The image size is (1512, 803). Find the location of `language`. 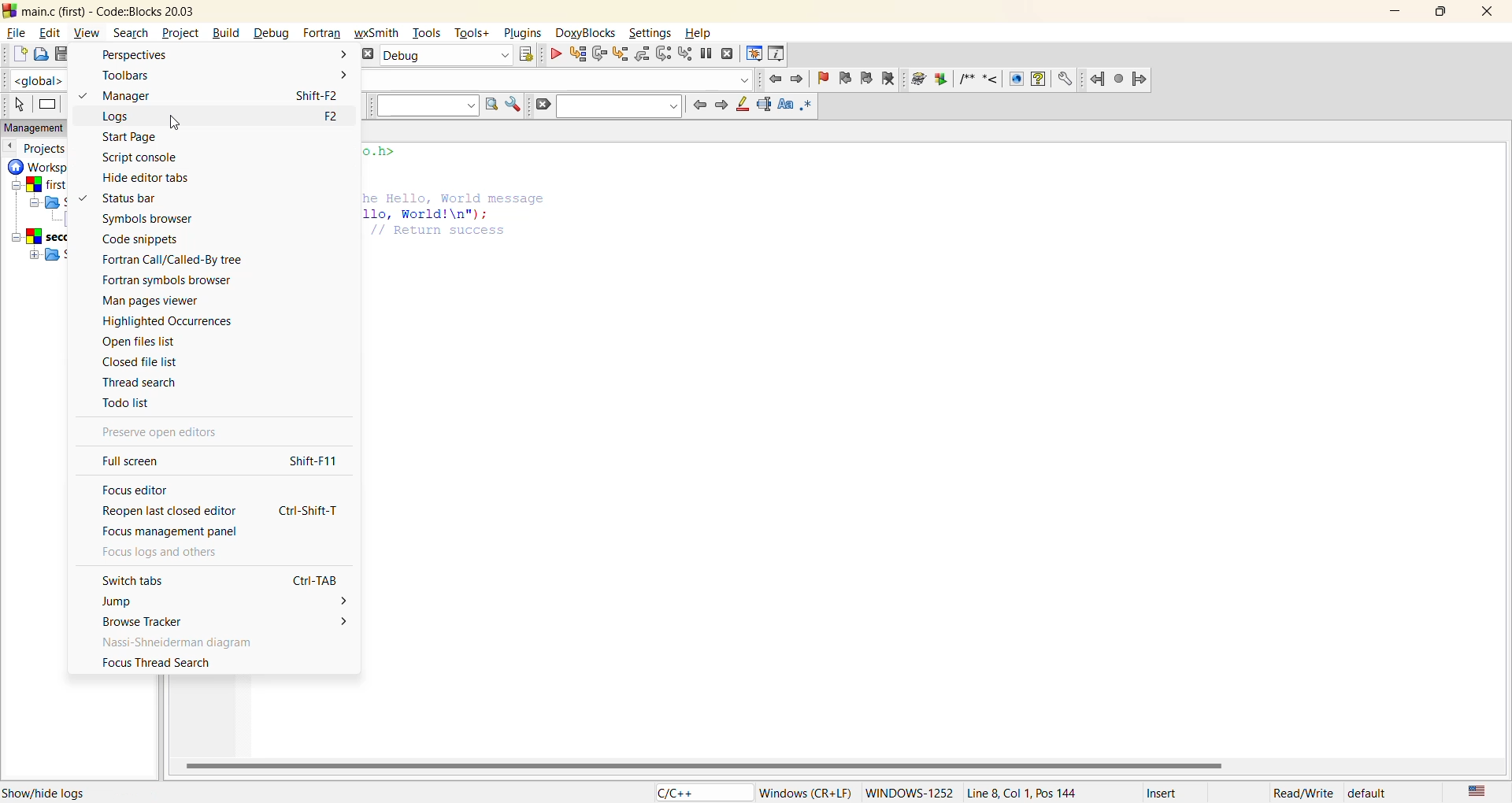

language is located at coordinates (699, 793).